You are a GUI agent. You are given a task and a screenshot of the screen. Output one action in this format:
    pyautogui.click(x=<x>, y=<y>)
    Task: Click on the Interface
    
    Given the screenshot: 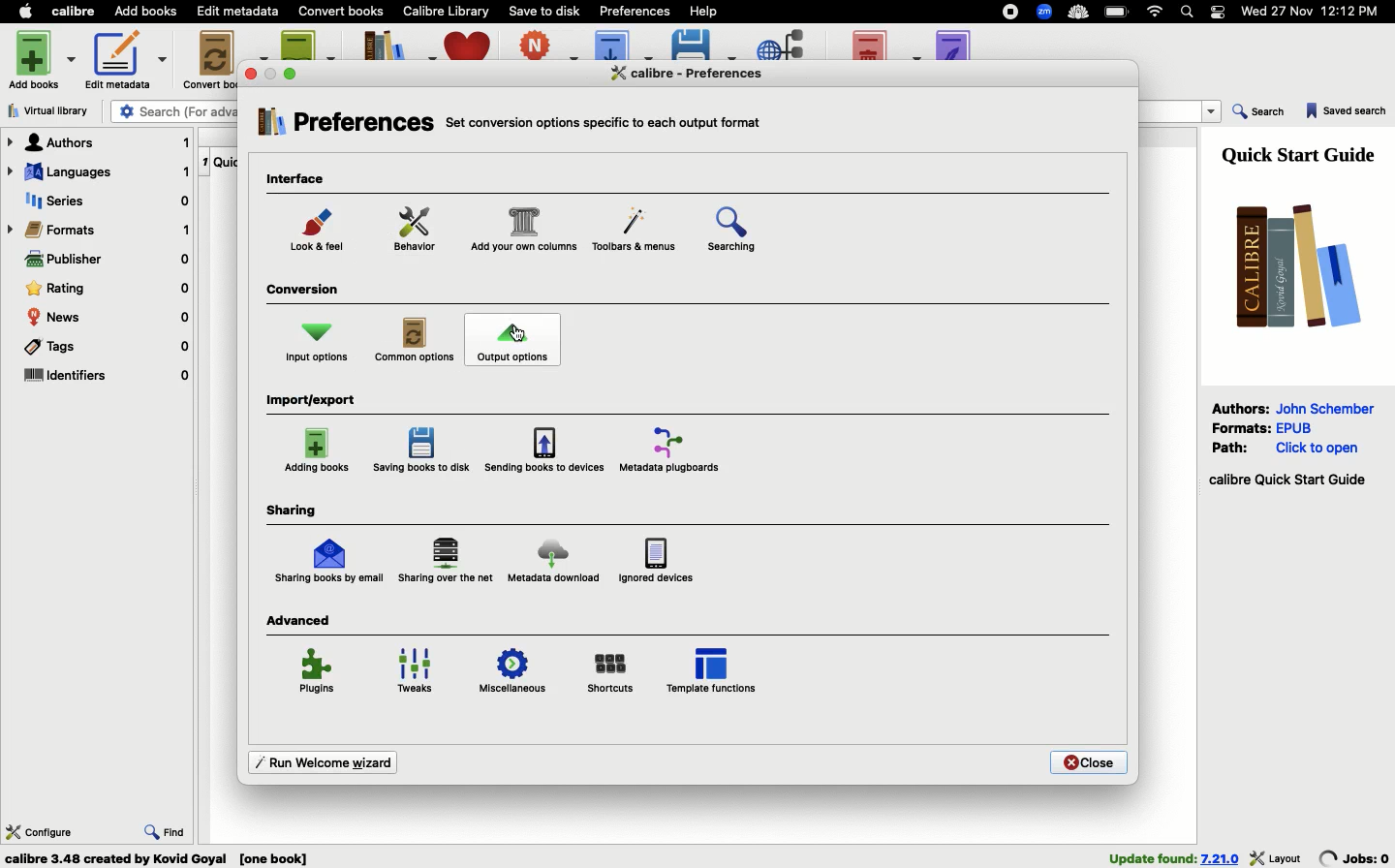 What is the action you would take?
    pyautogui.click(x=301, y=180)
    